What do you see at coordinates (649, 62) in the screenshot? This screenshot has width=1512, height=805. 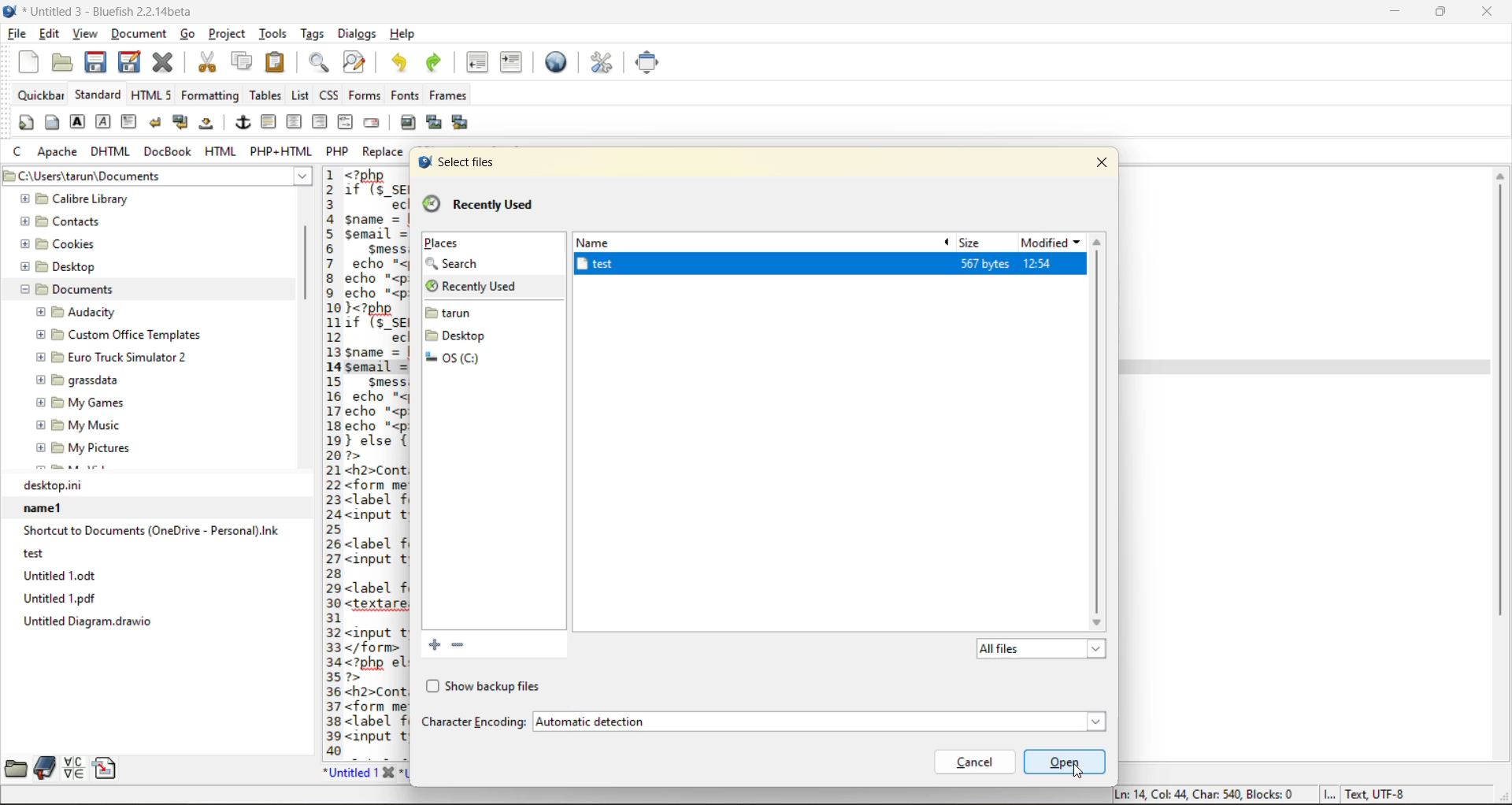 I see `full screen` at bounding box center [649, 62].